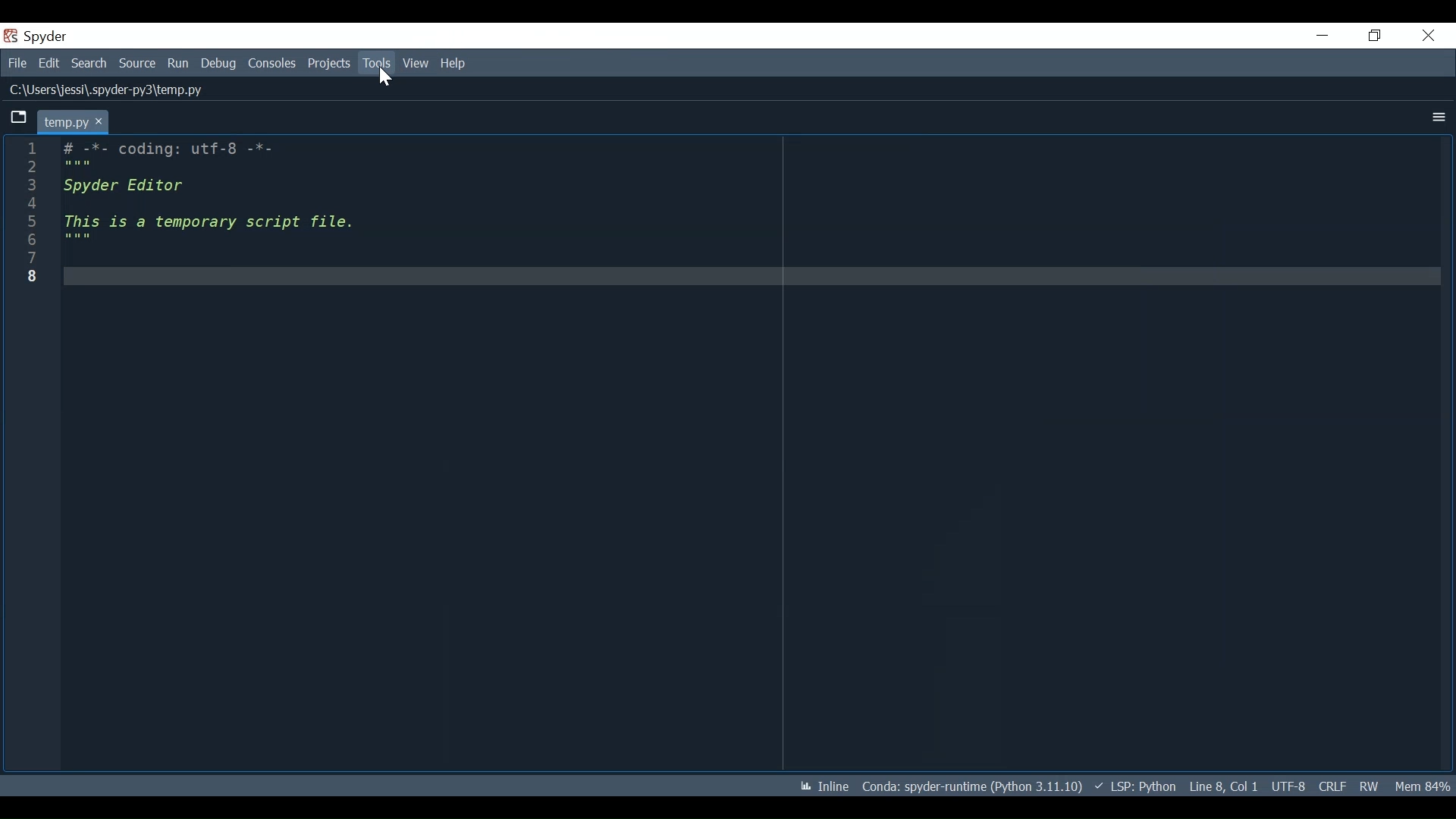  I want to click on File EQL Status, so click(1332, 786).